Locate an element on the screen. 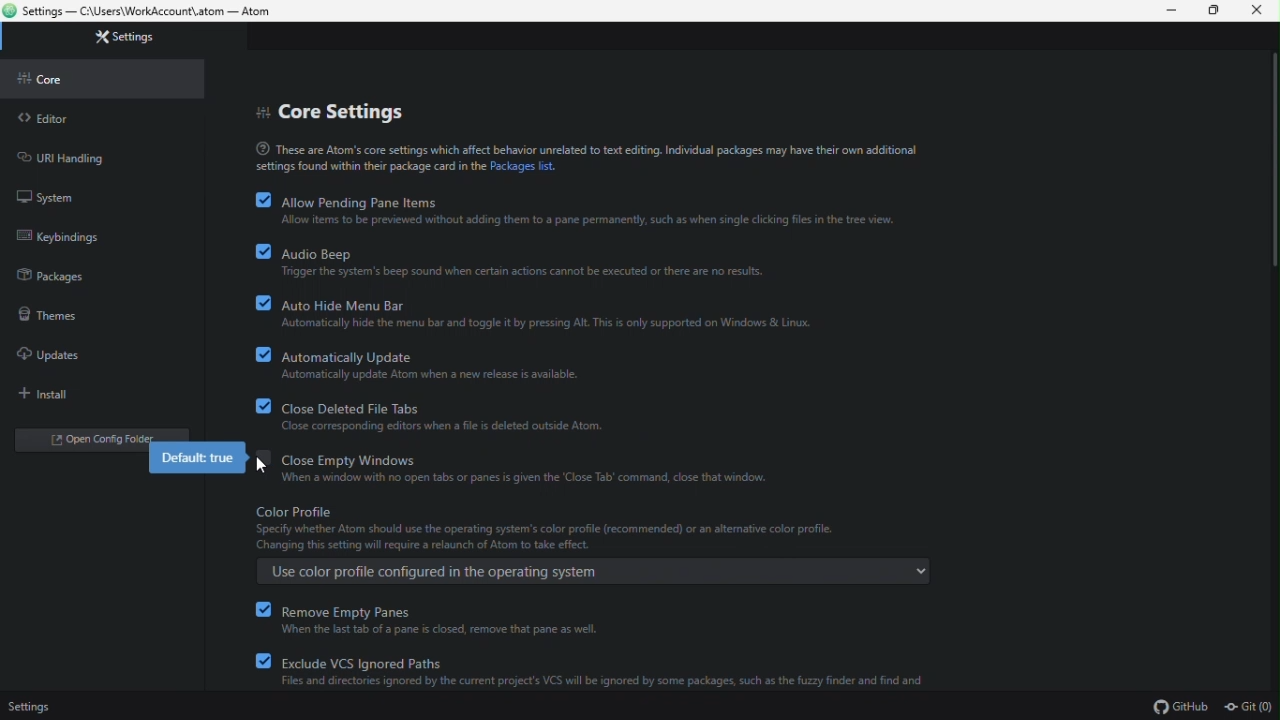  remove empty panes is located at coordinates (449, 621).